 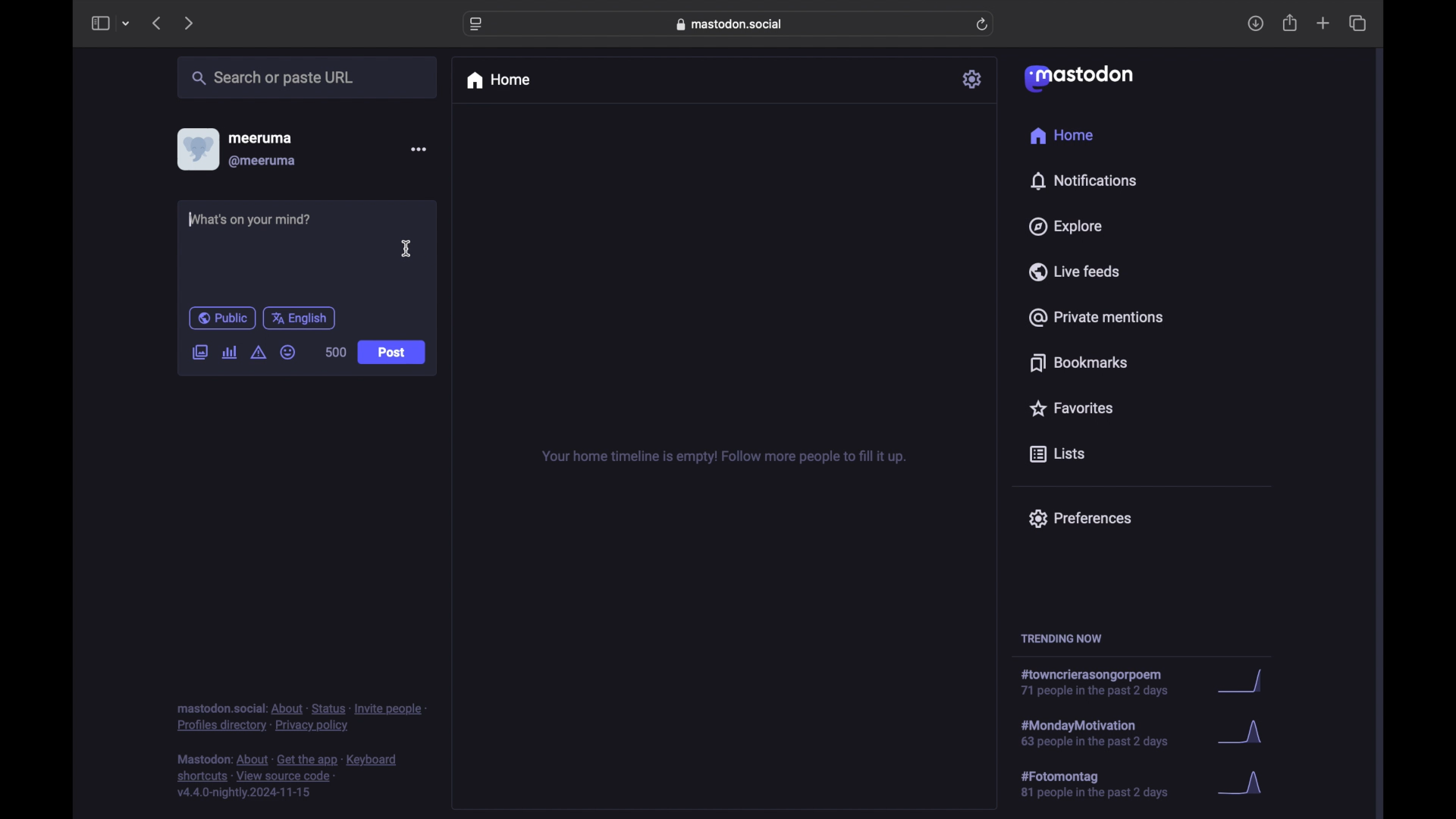 I want to click on your home timeline is  empty! follow for more tips, so click(x=722, y=457).